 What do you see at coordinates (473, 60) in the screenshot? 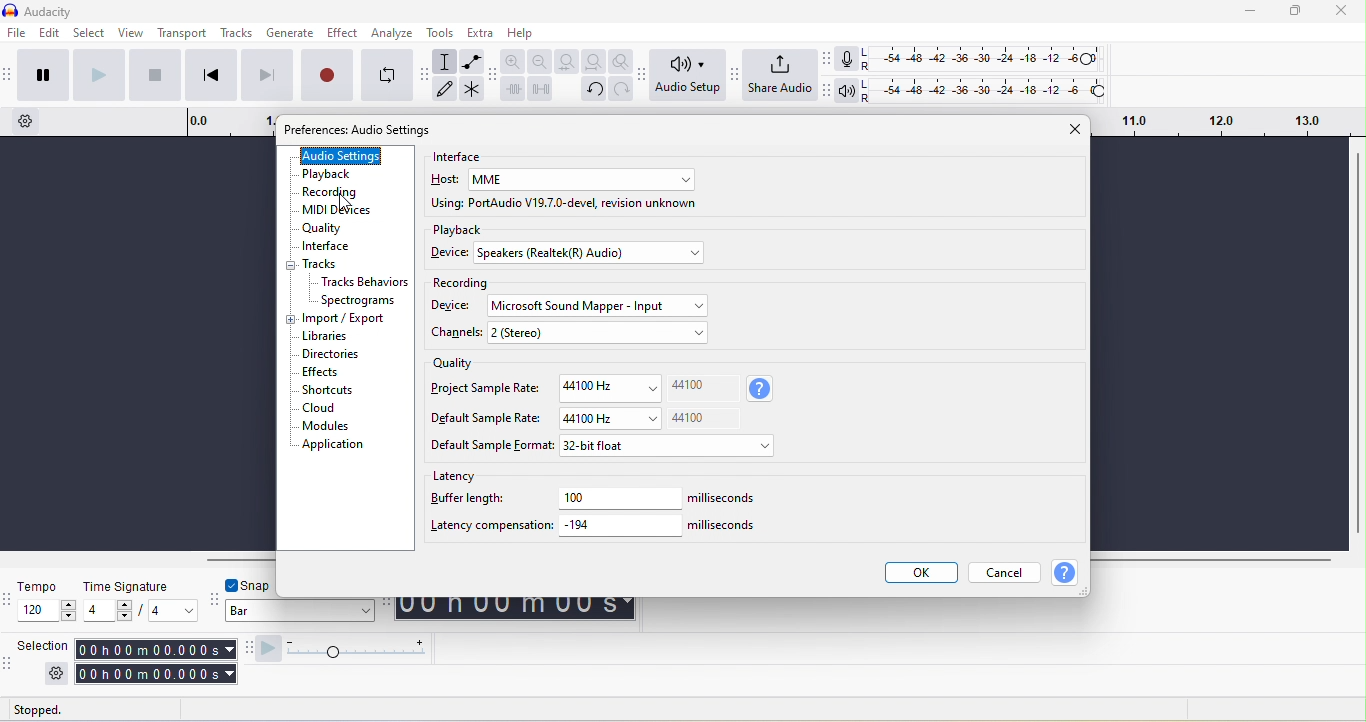
I see `envelope tool` at bounding box center [473, 60].